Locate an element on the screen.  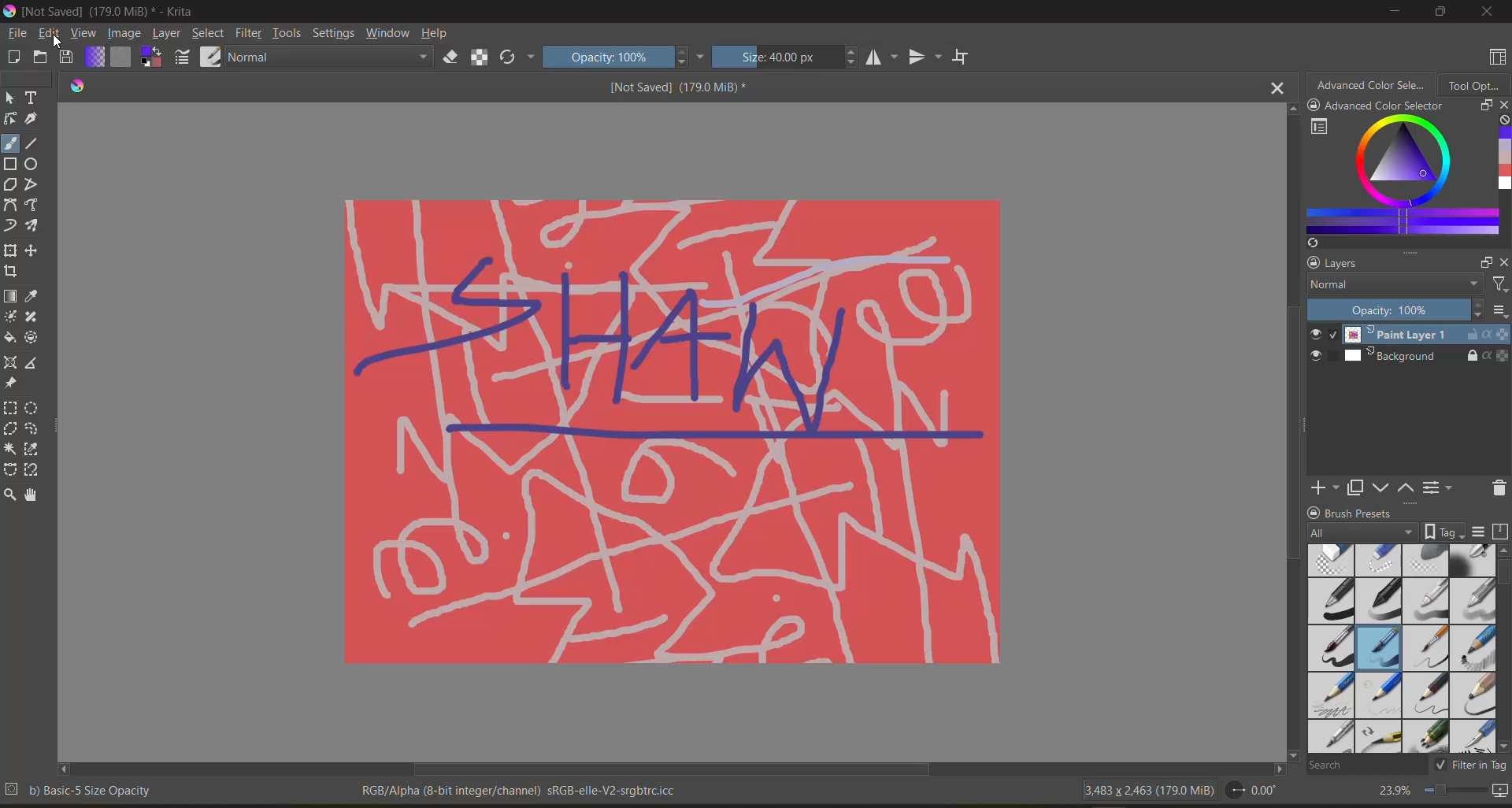
[Not Saved] (179.0 MiB) * is located at coordinates (677, 87).